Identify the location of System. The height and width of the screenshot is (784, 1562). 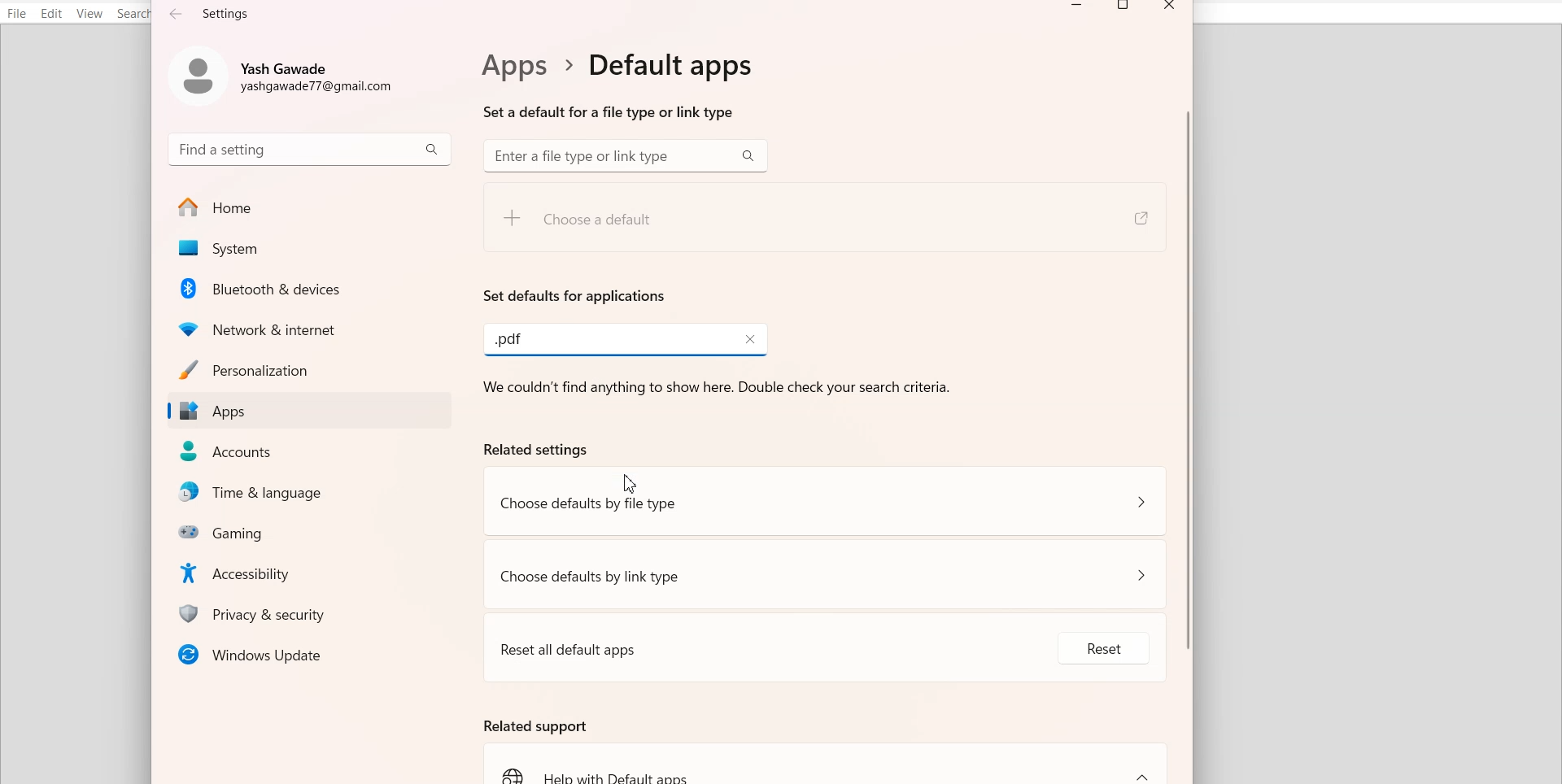
(308, 249).